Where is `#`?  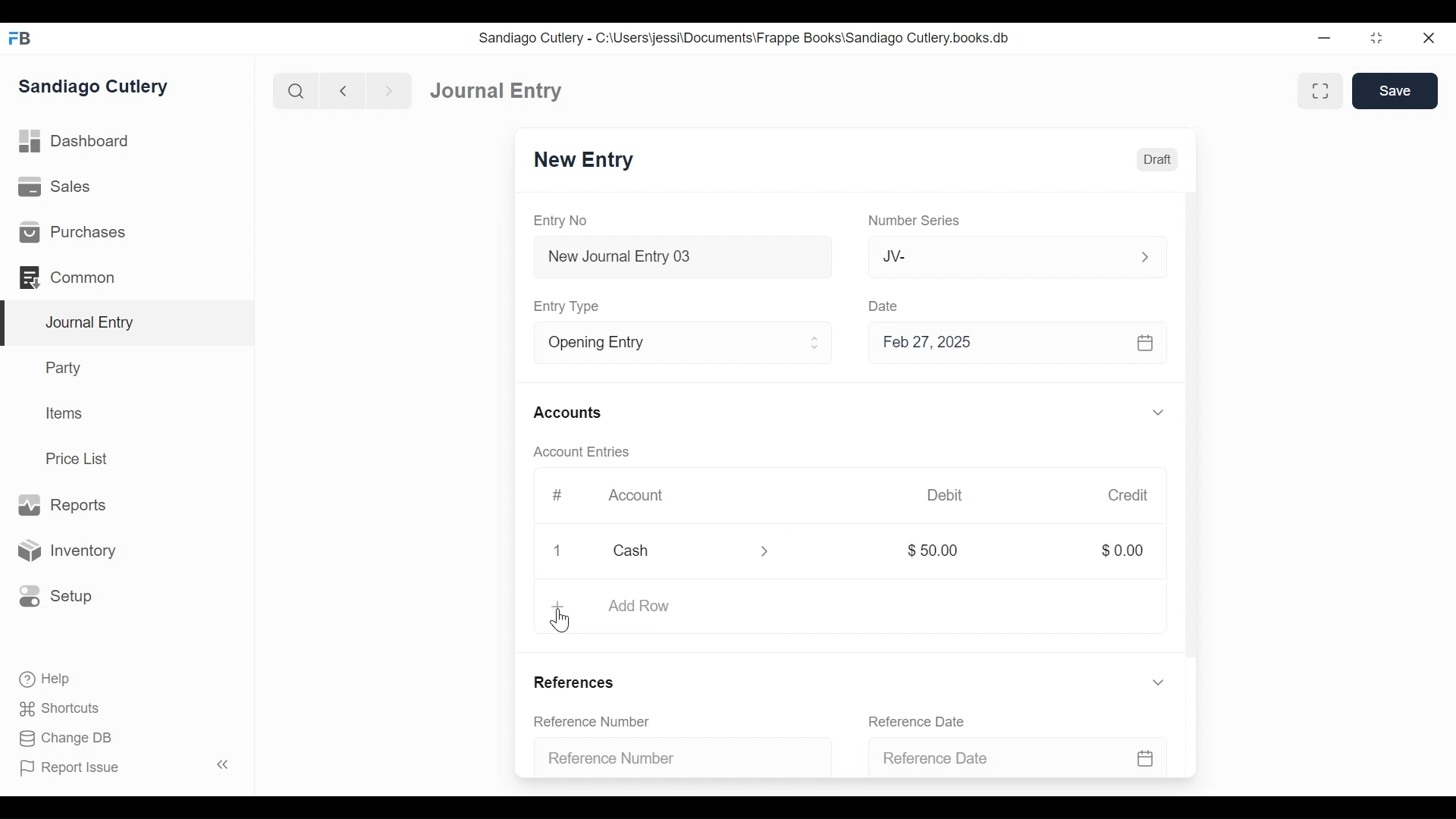
# is located at coordinates (558, 494).